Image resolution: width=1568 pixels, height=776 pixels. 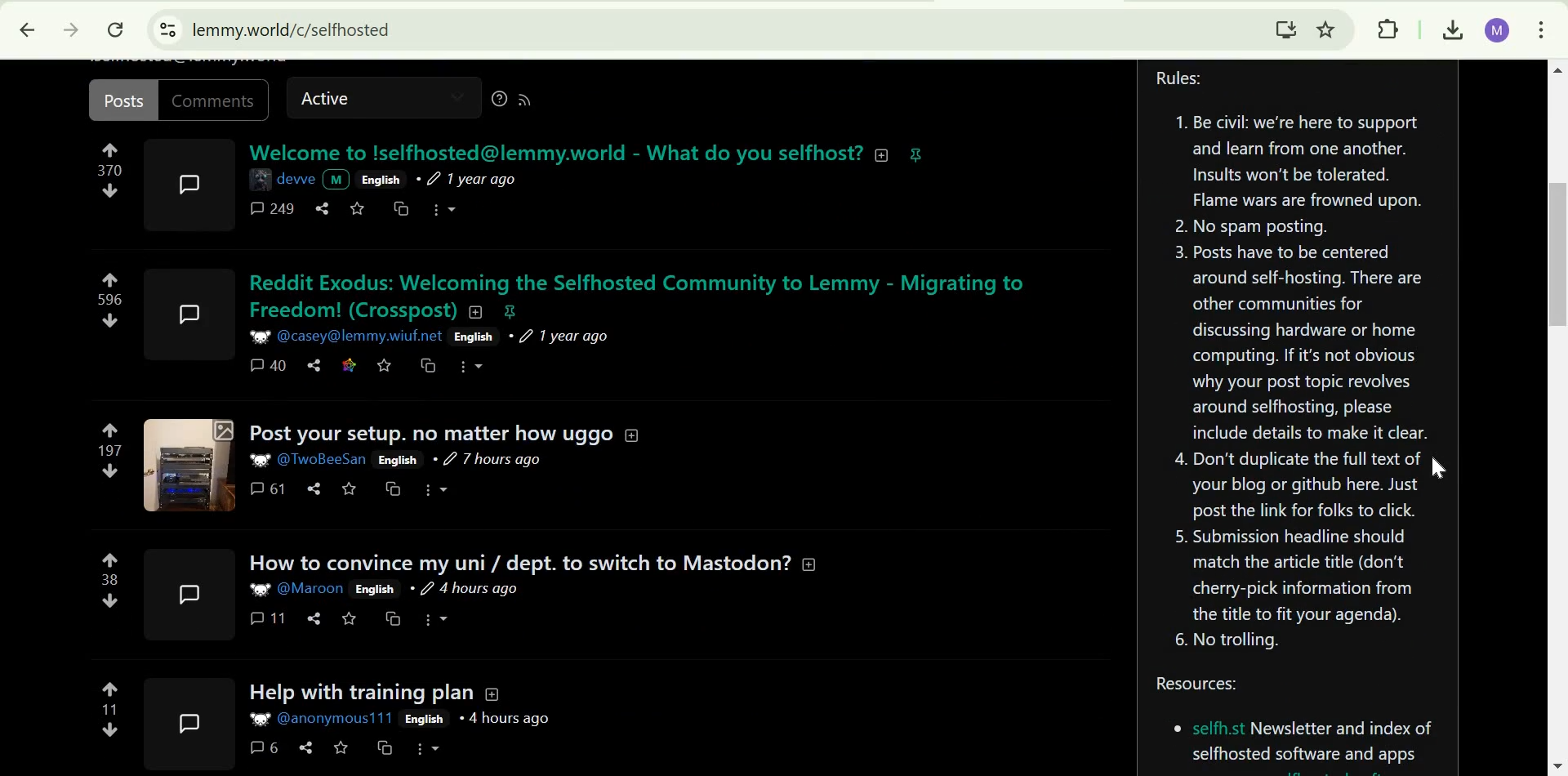 What do you see at coordinates (111, 579) in the screenshot?
I see `38 points` at bounding box center [111, 579].